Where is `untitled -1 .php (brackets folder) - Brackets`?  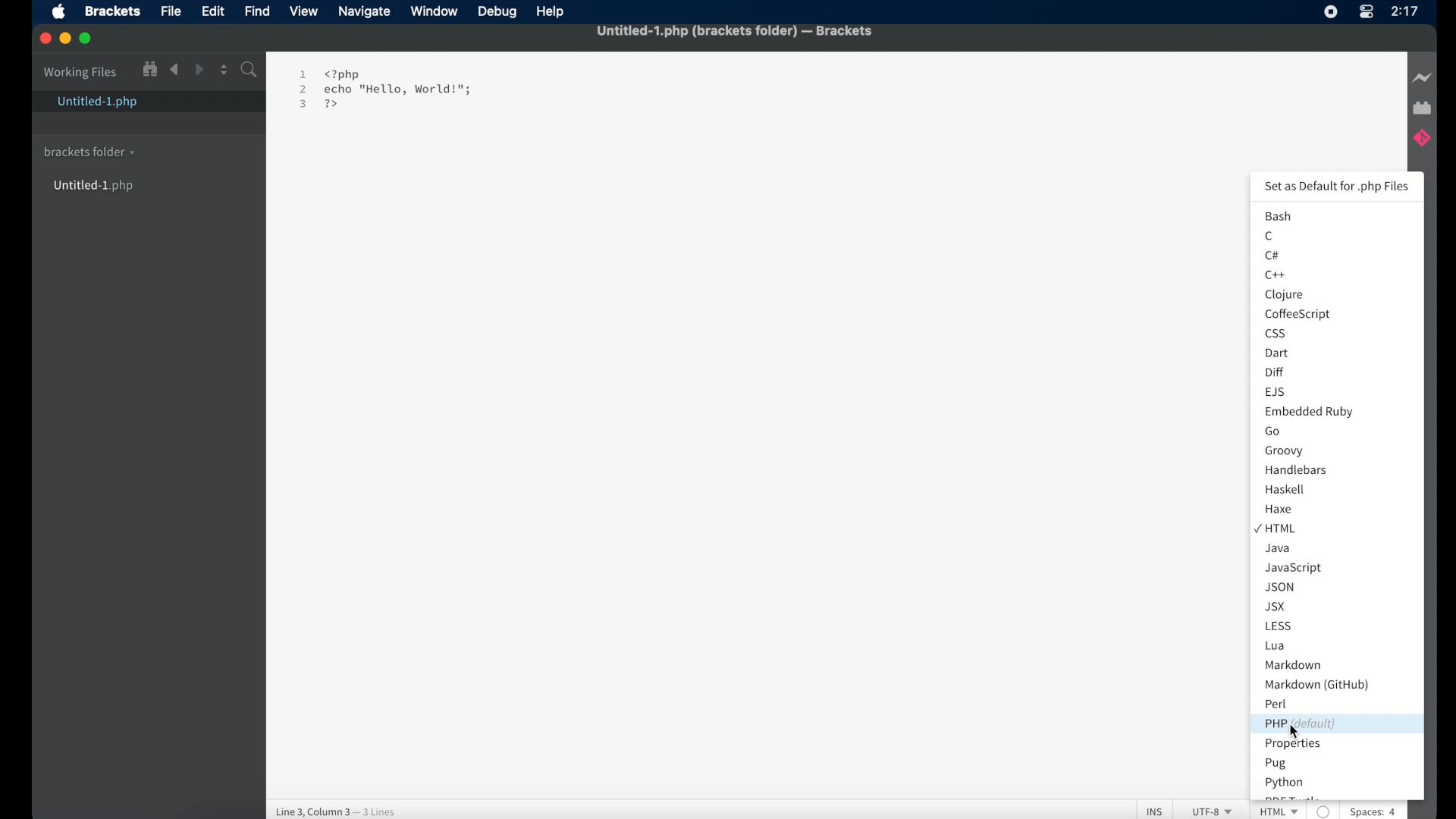 untitled -1 .php (brackets folder) - Brackets is located at coordinates (736, 30).